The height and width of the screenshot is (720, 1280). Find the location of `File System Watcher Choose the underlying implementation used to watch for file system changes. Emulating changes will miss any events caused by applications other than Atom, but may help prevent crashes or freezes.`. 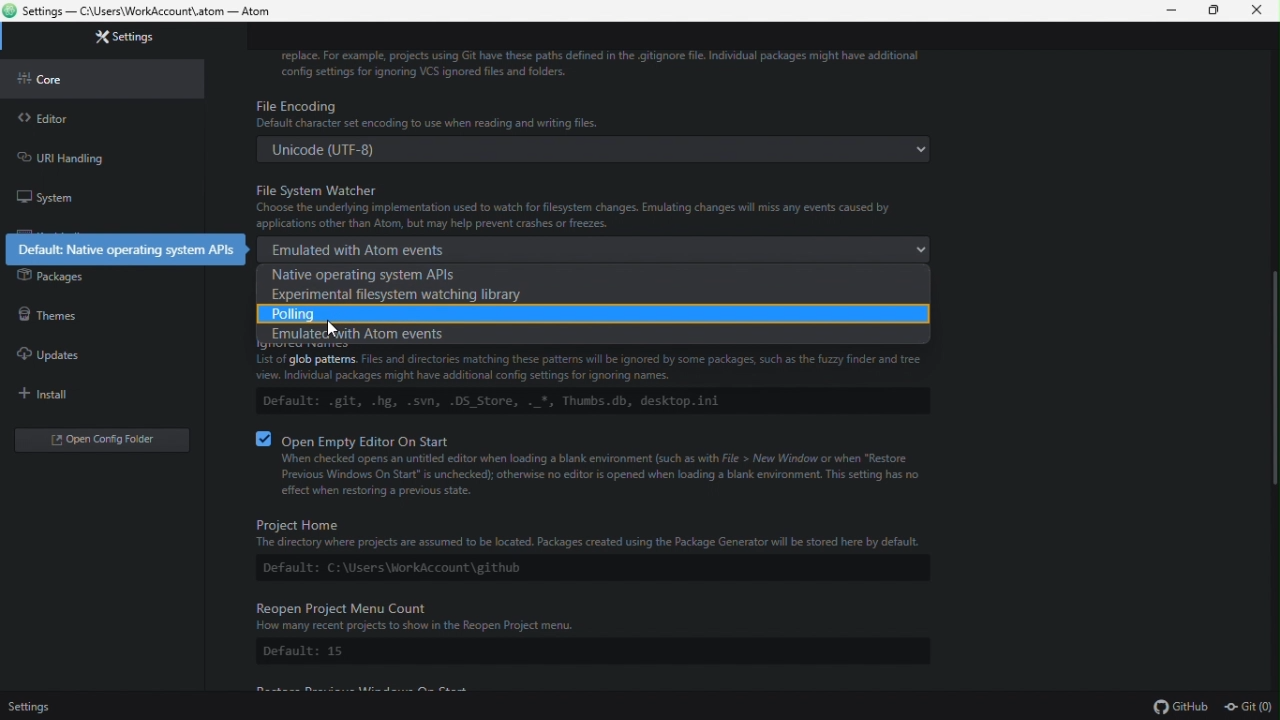

File System Watcher Choose the underlying implementation used to watch for file system changes. Emulating changes will miss any events caused by applications other than Atom, but may help prevent crashes or freezes. is located at coordinates (580, 207).